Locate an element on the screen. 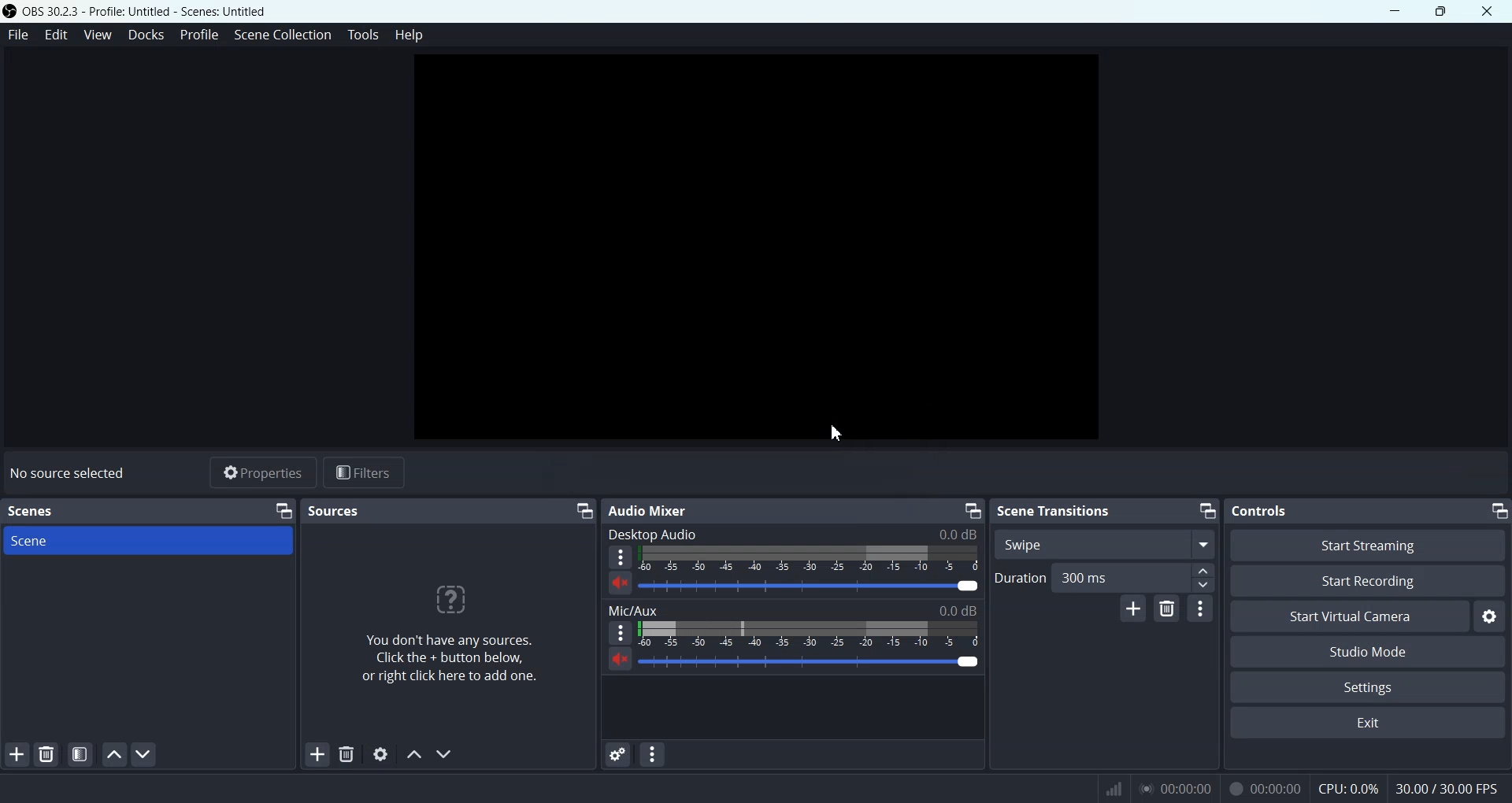  Minimize is located at coordinates (973, 509).